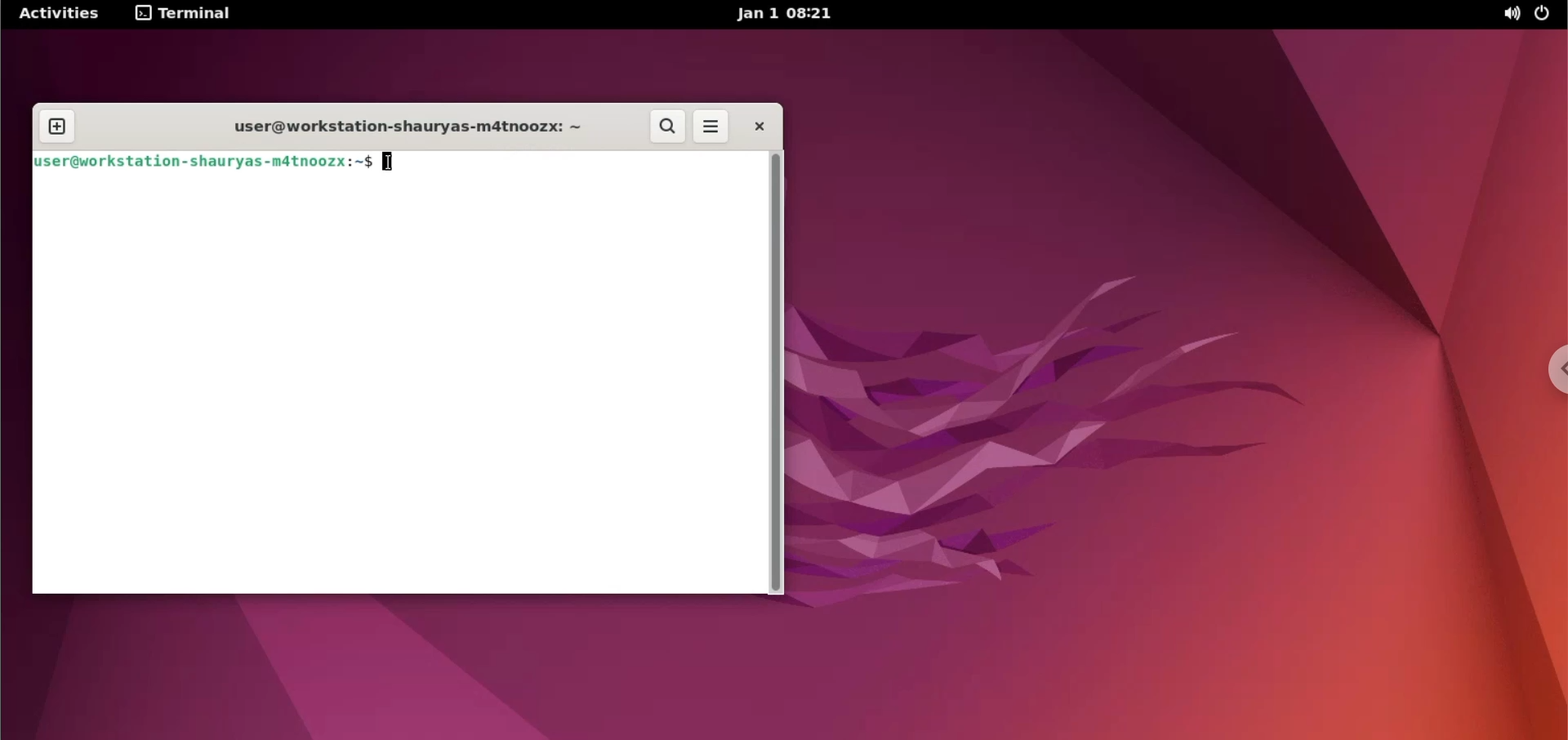  I want to click on power options, so click(1546, 15).